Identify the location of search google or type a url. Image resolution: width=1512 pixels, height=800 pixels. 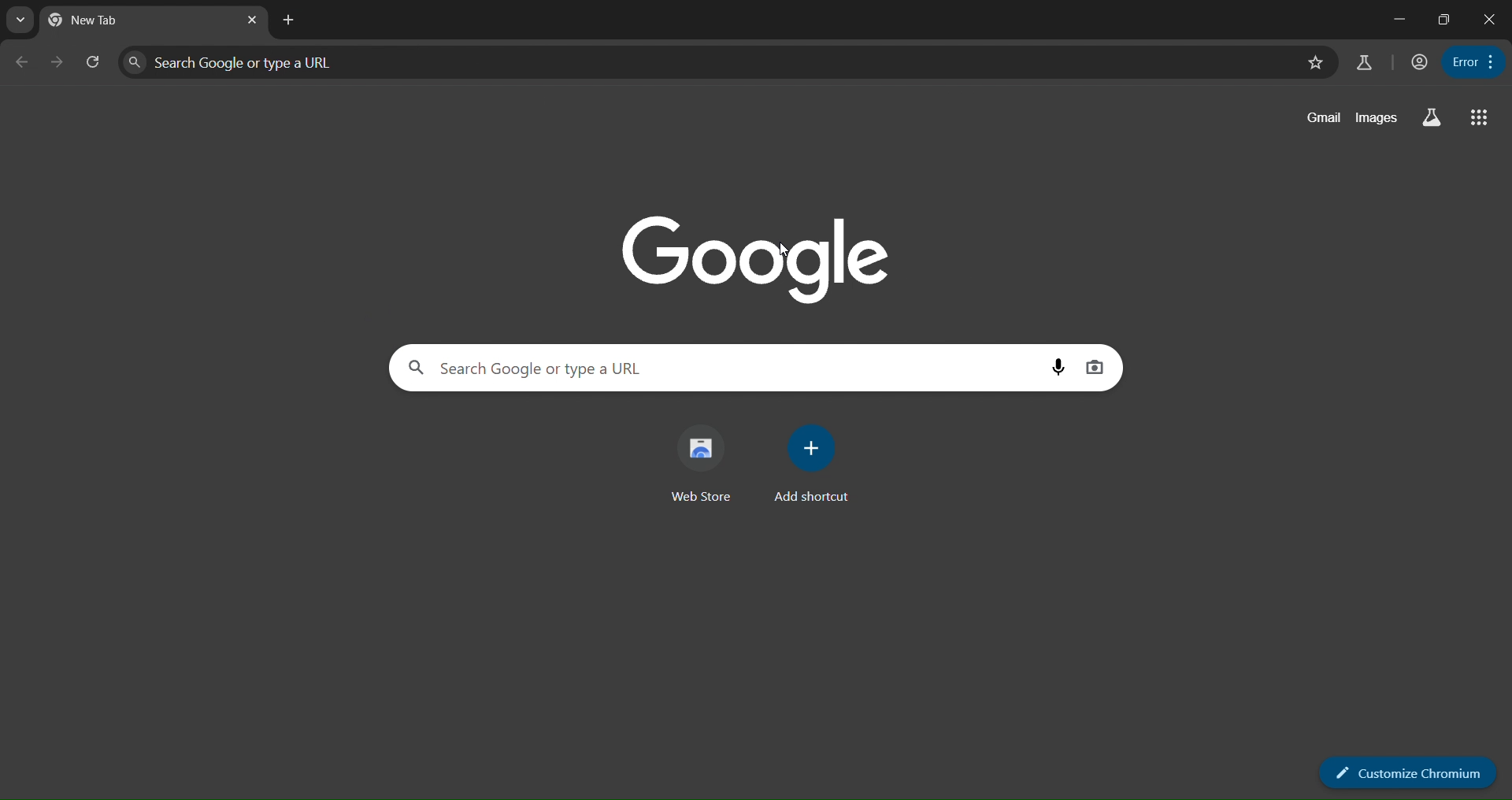
(302, 61).